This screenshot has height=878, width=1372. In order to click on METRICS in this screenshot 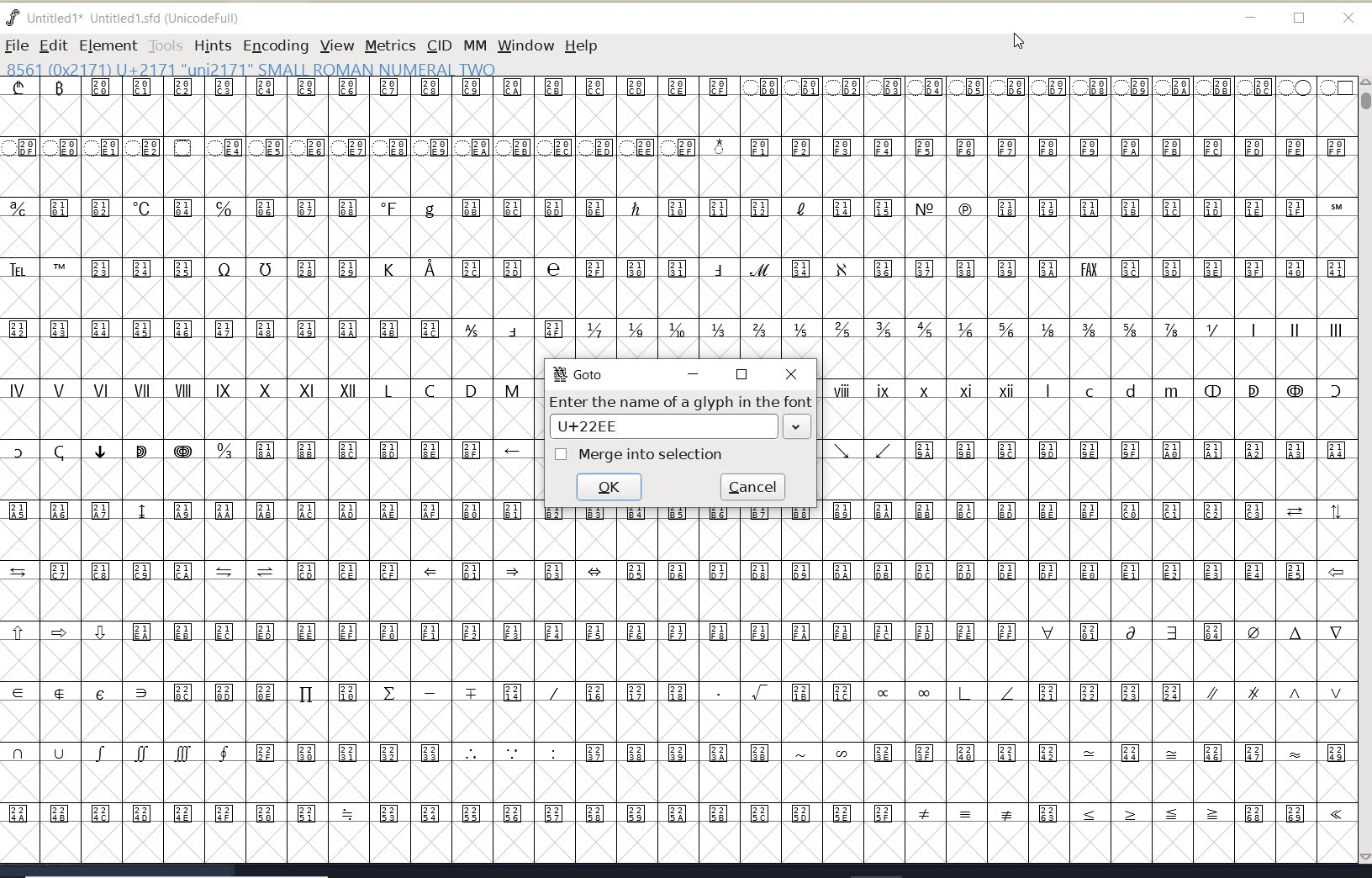, I will do `click(390, 45)`.